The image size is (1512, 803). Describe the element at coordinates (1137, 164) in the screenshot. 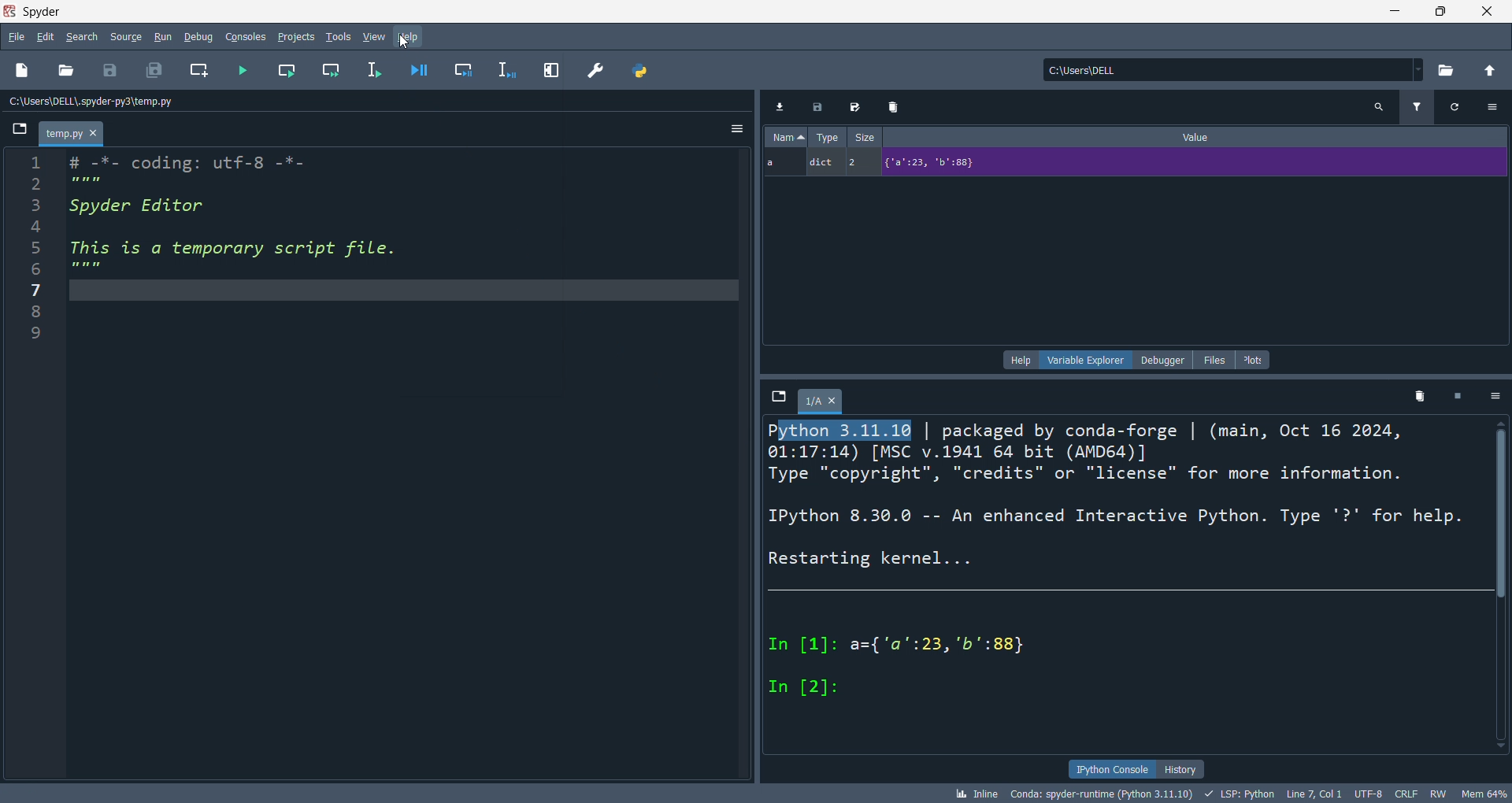

I see `a dict 2 {"2":23, 'b':88}` at that location.